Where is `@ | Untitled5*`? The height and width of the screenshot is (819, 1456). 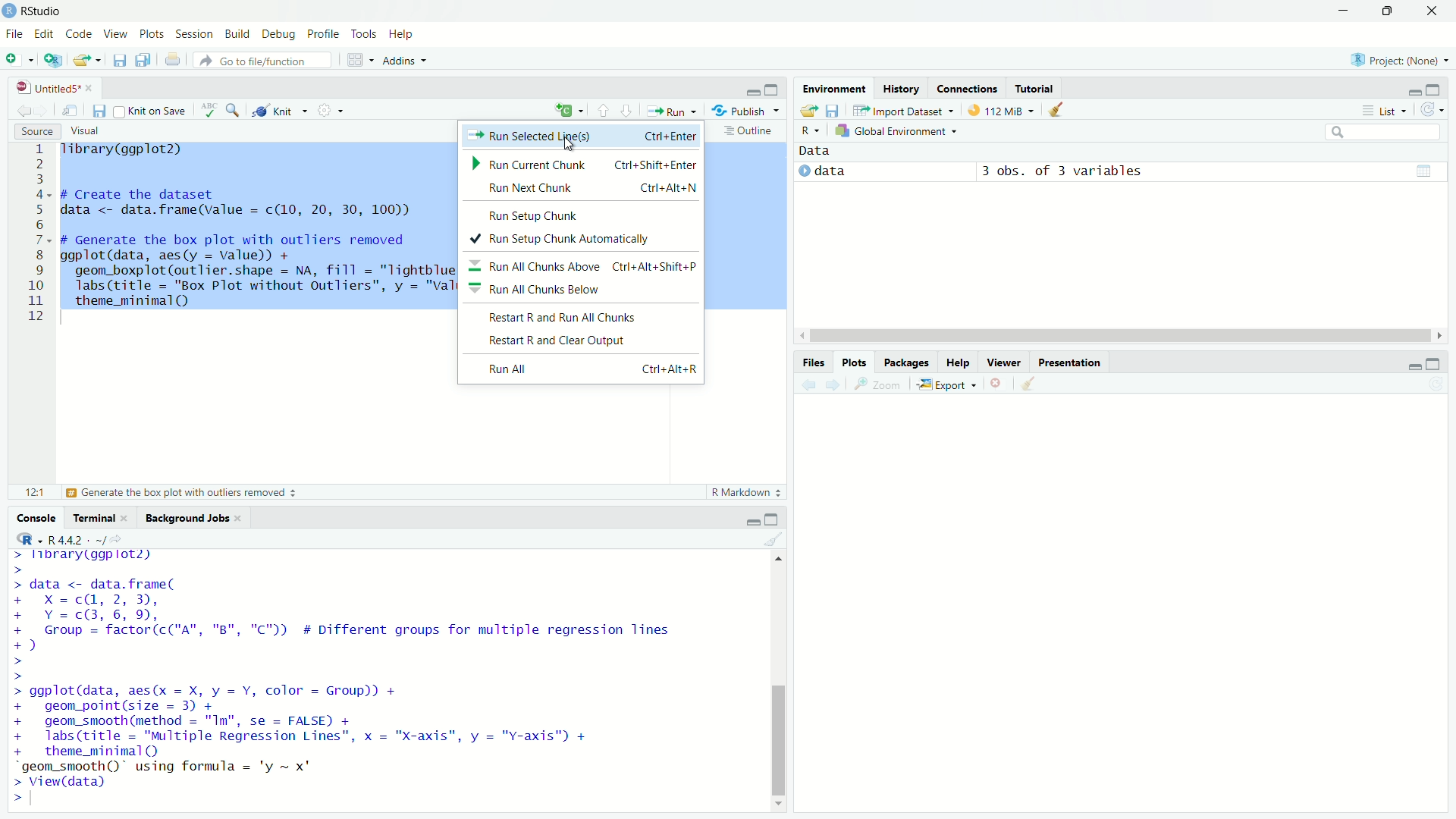 @ | Untitled5* is located at coordinates (52, 89).